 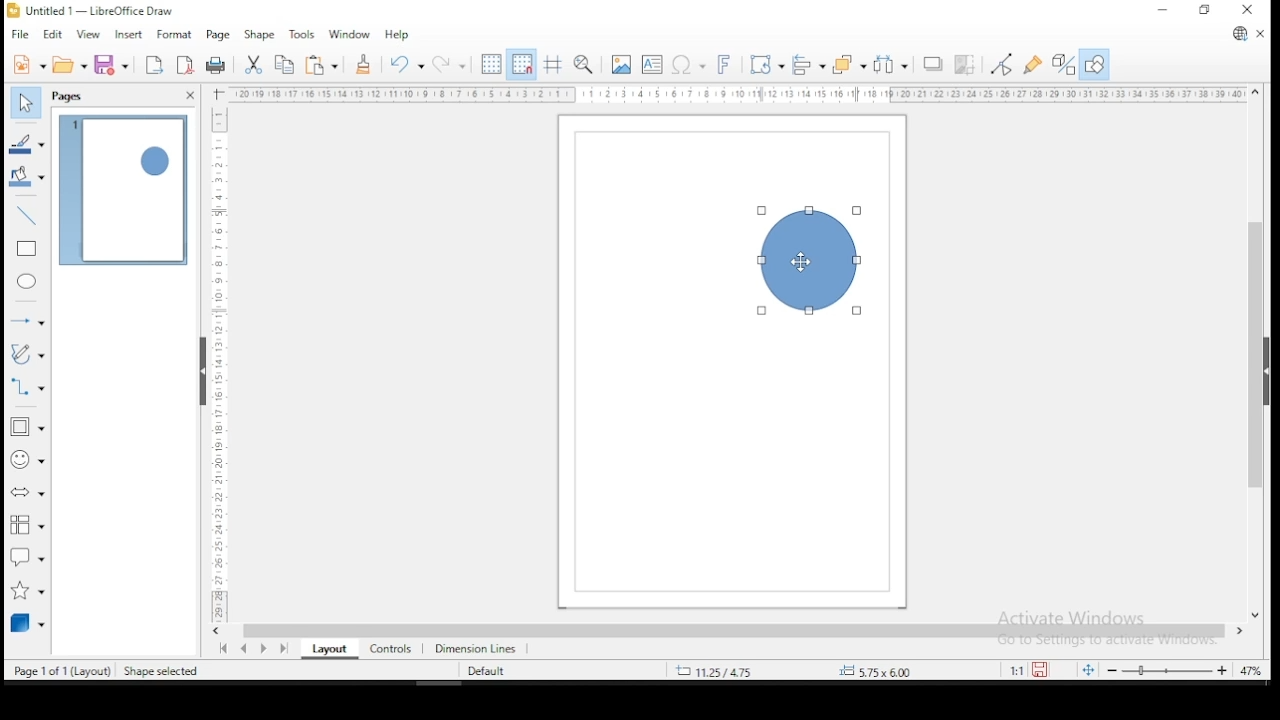 What do you see at coordinates (1095, 65) in the screenshot?
I see `show draw functions` at bounding box center [1095, 65].